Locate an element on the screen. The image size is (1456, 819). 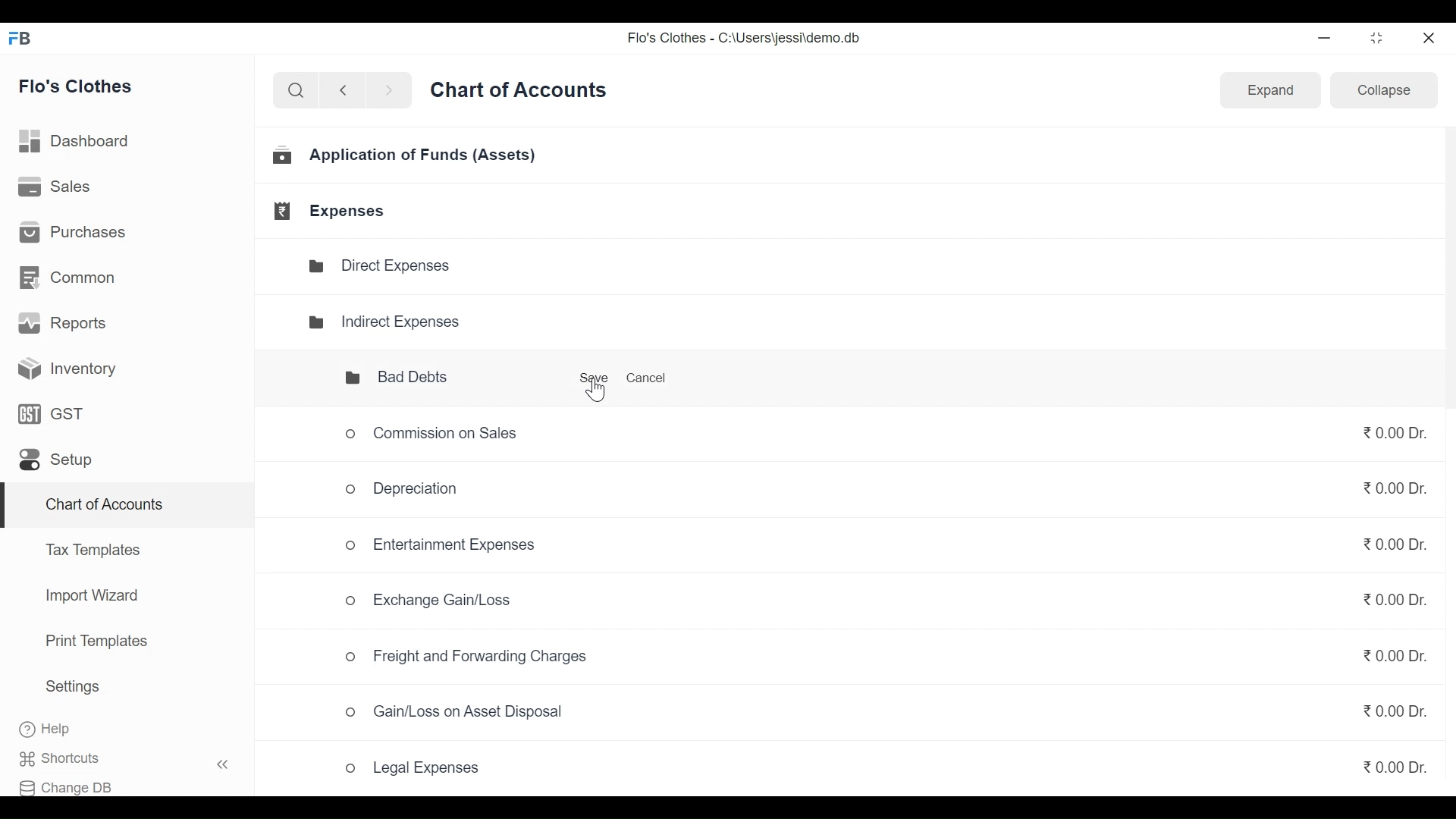
Commission on Sales is located at coordinates (429, 436).